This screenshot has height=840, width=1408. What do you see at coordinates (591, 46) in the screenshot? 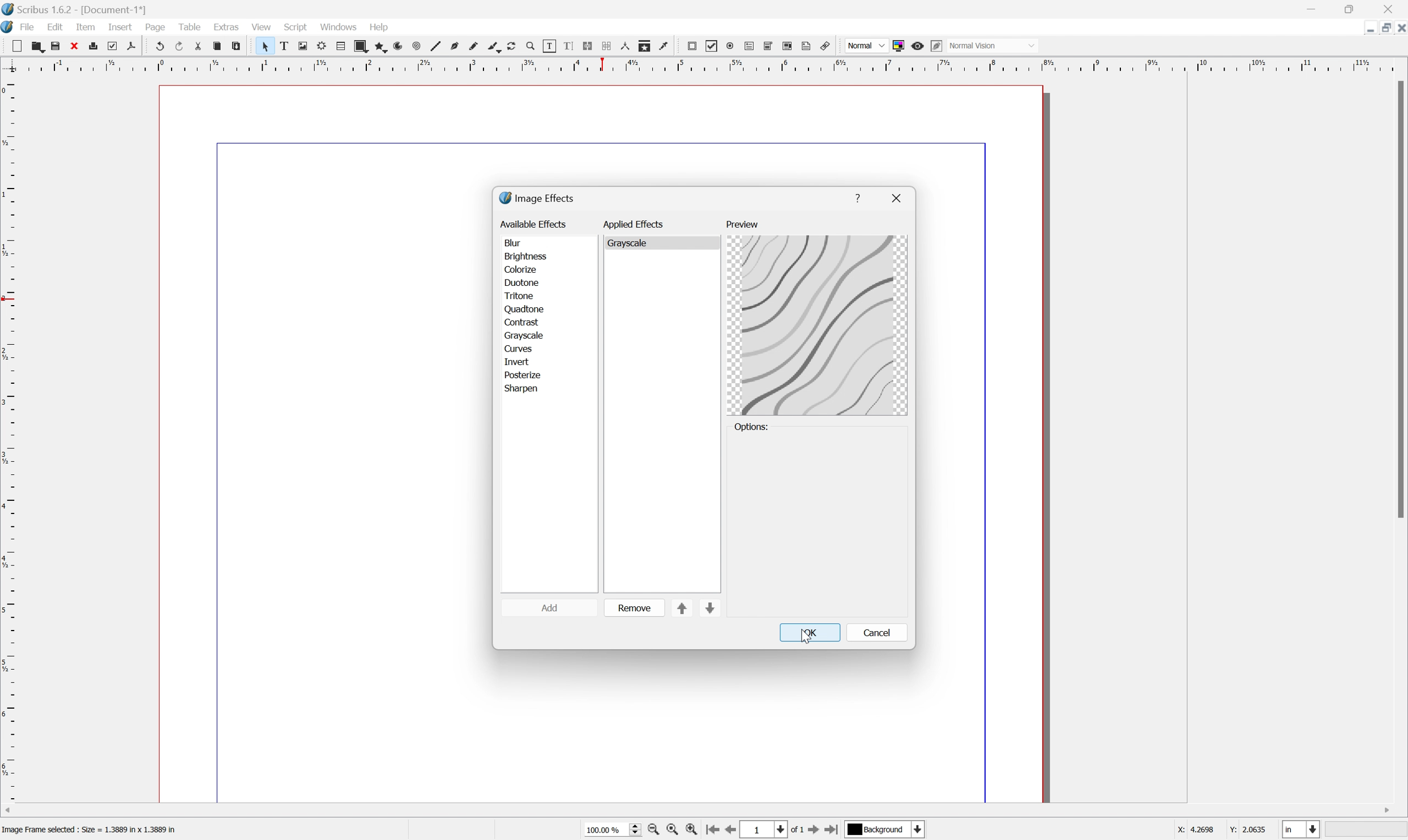
I see `Link text frames` at bounding box center [591, 46].